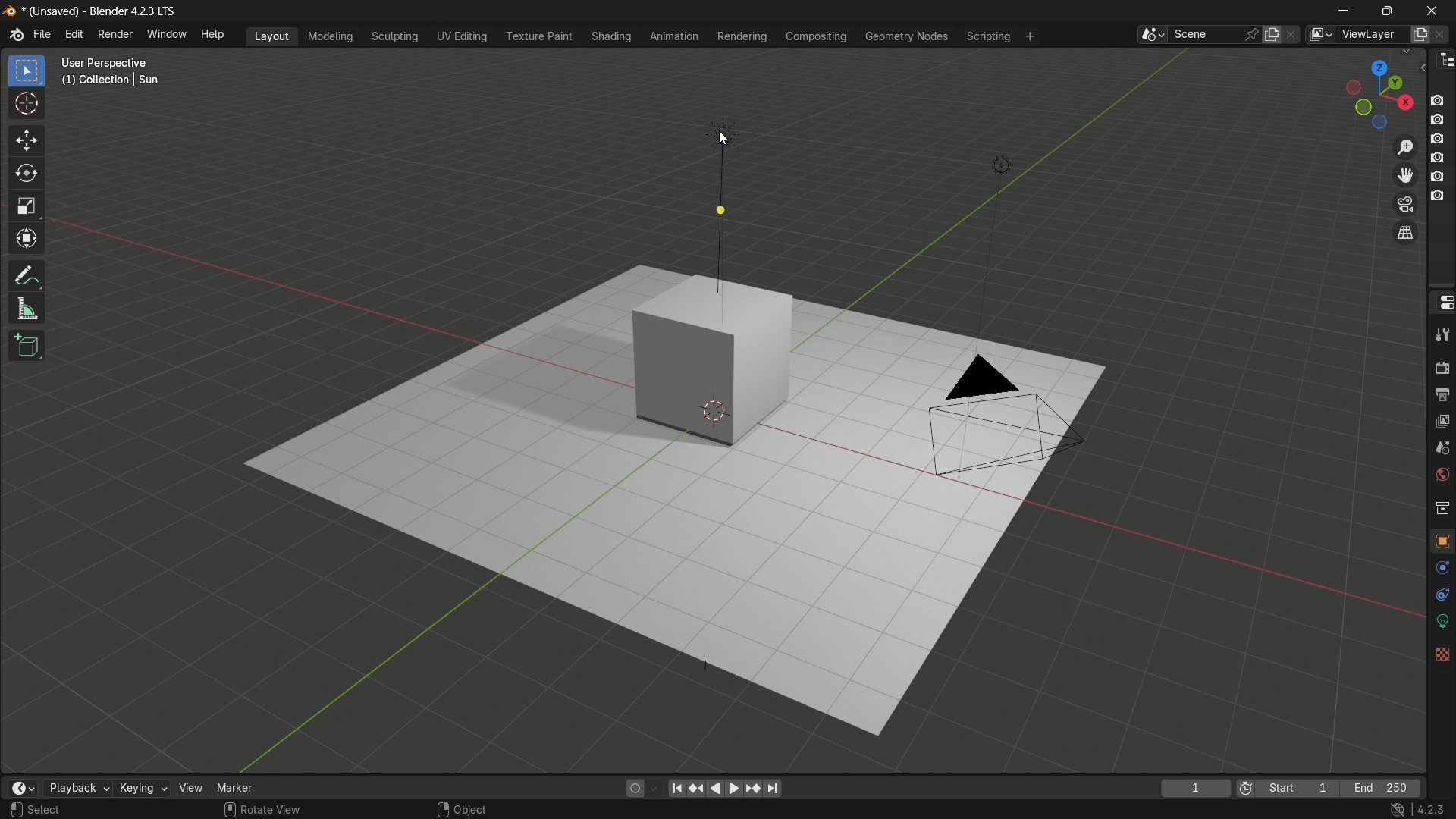 The height and width of the screenshot is (819, 1456). I want to click on delete scene, so click(1294, 34).